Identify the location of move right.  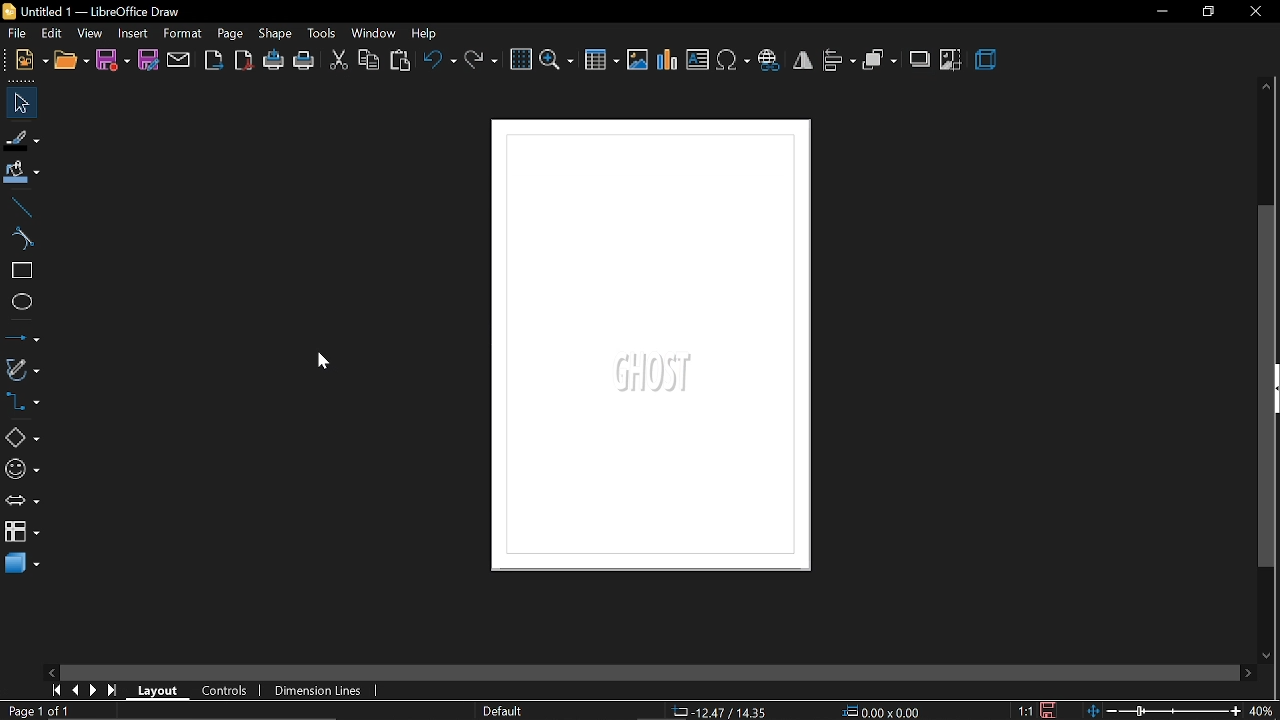
(1248, 674).